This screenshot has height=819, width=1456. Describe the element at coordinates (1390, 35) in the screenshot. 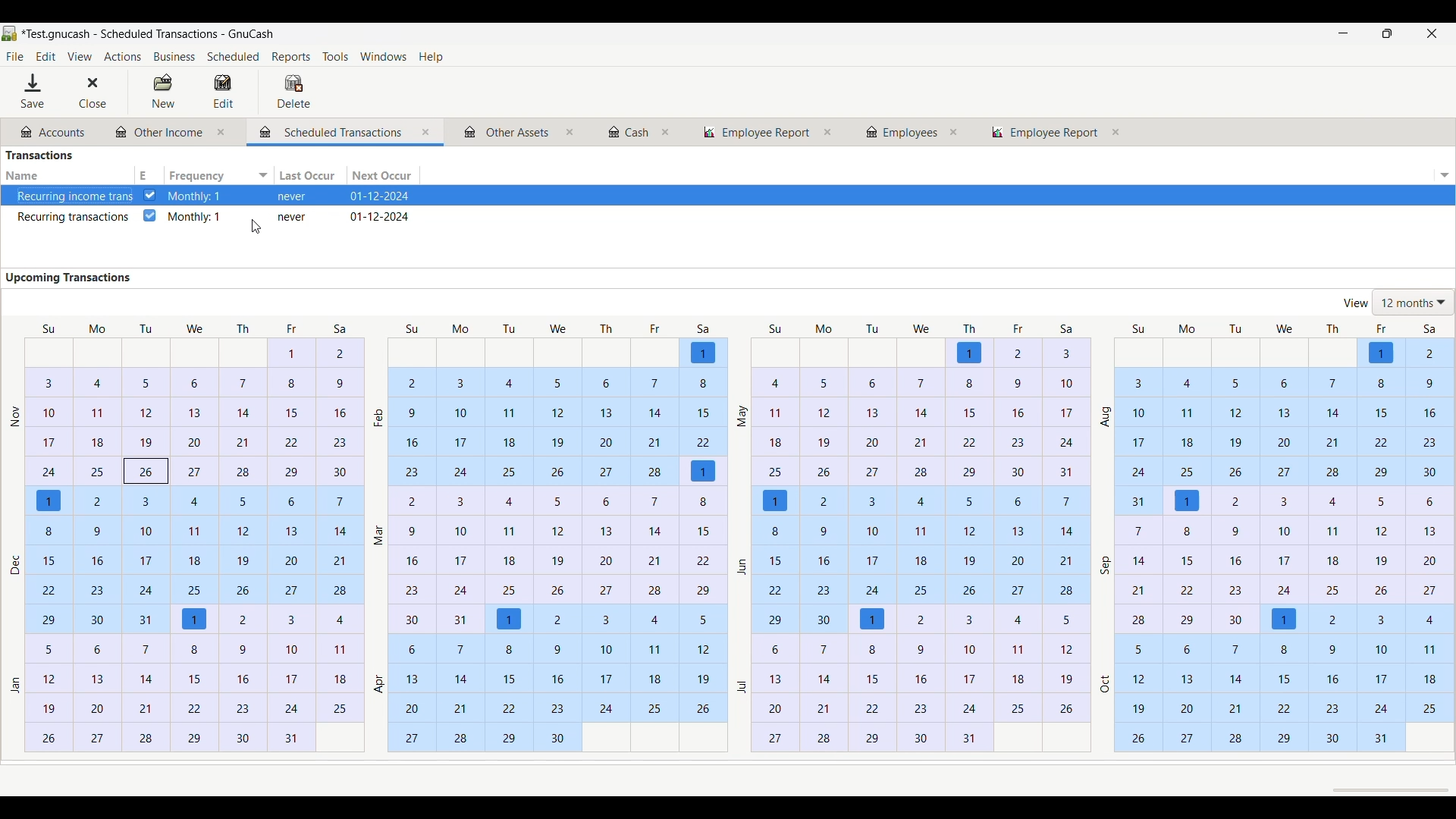

I see `Show interface in a smaller tab` at that location.